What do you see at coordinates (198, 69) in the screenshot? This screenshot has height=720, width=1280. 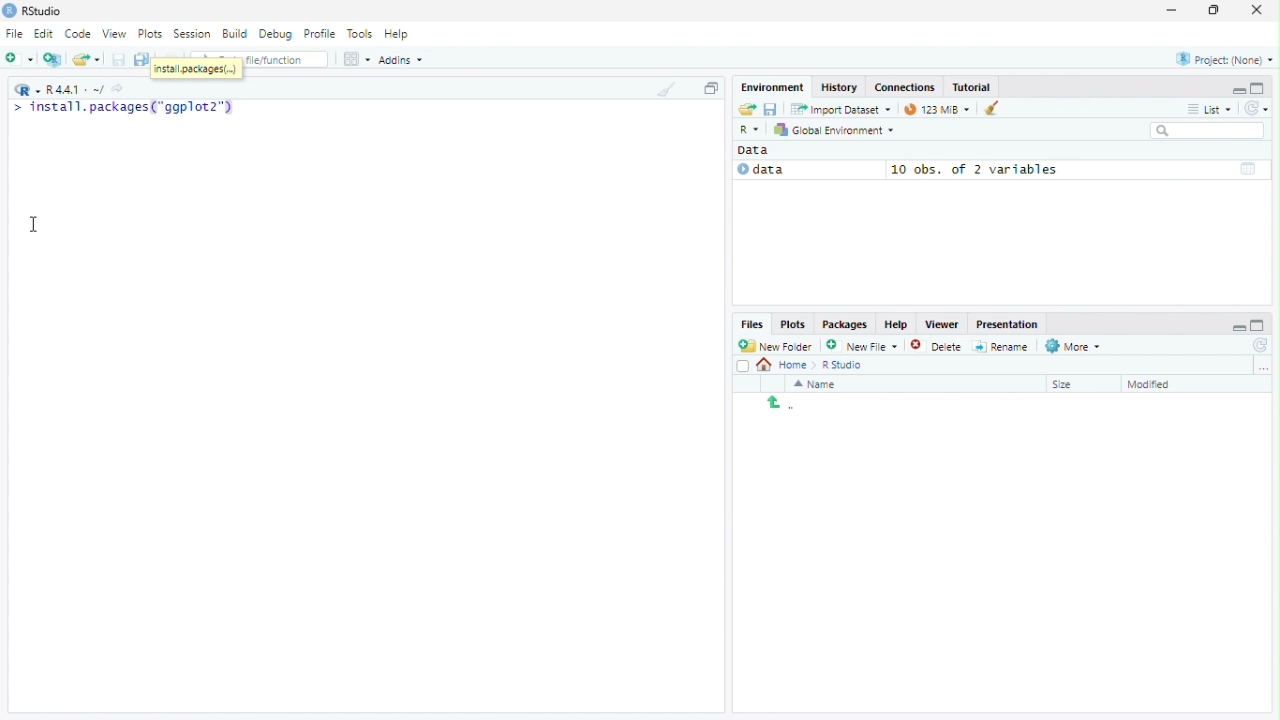 I see `install packages` at bounding box center [198, 69].